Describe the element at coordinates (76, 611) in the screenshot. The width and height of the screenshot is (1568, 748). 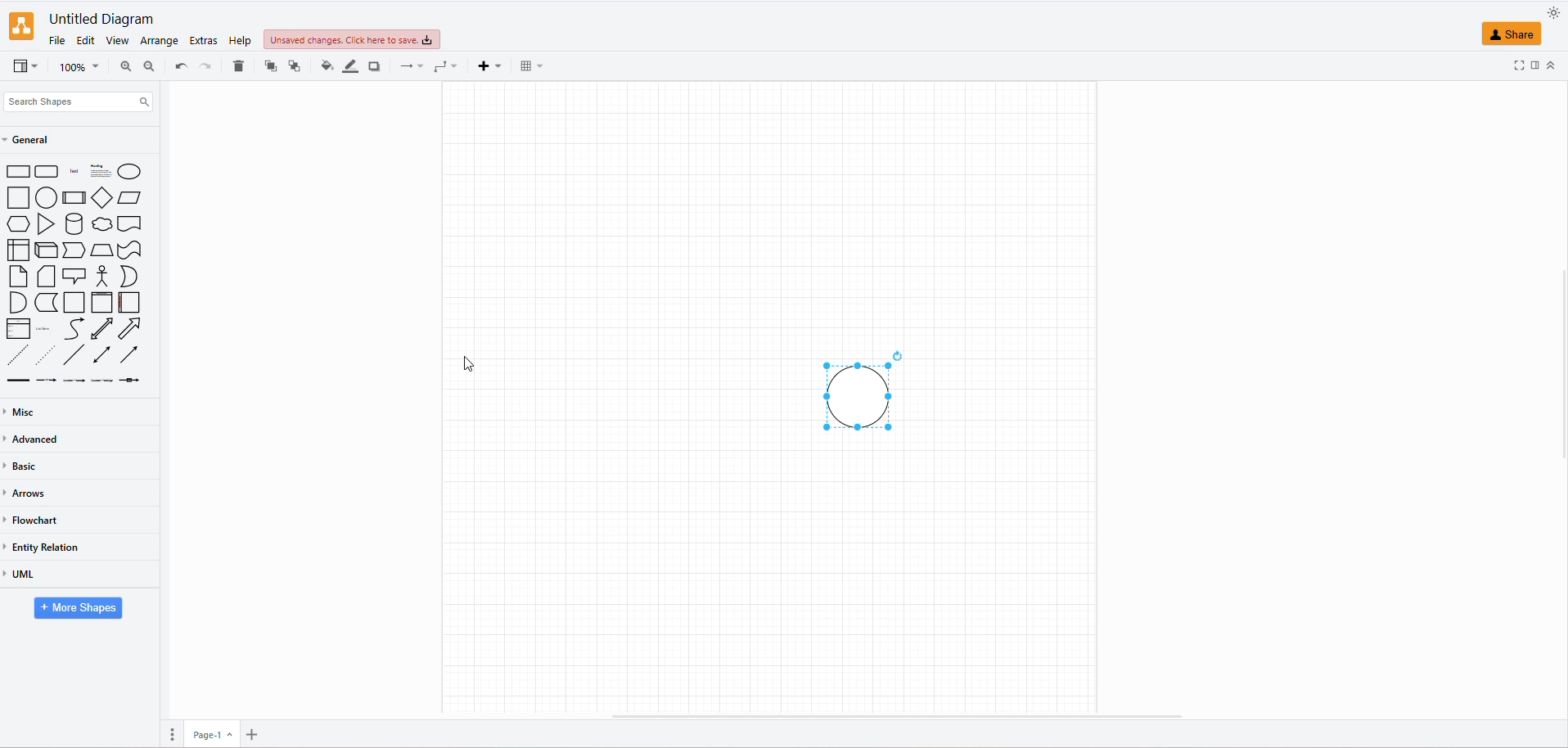
I see `MORE SHAPES` at that location.